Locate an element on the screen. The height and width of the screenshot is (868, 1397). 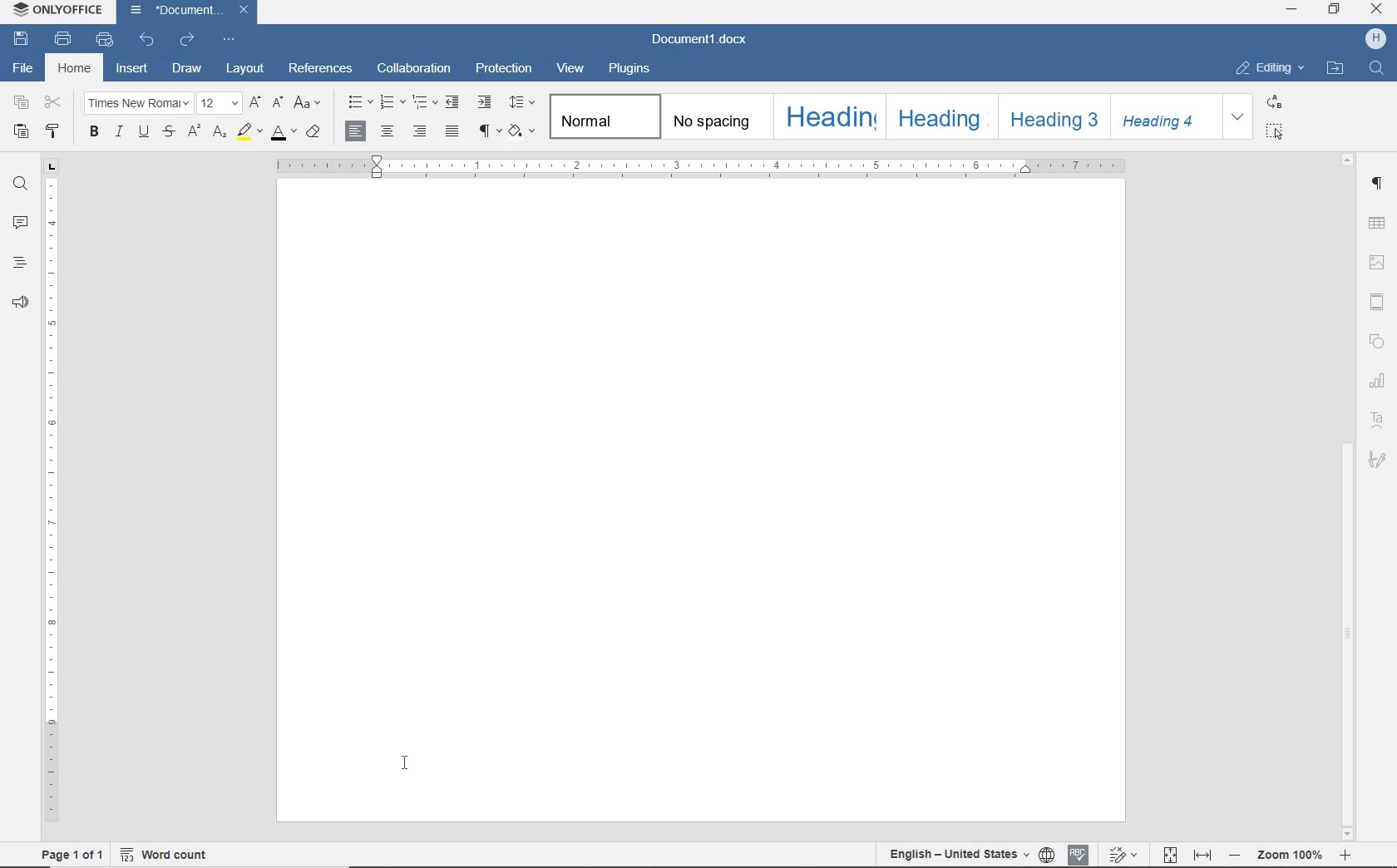
copy is located at coordinates (22, 102).